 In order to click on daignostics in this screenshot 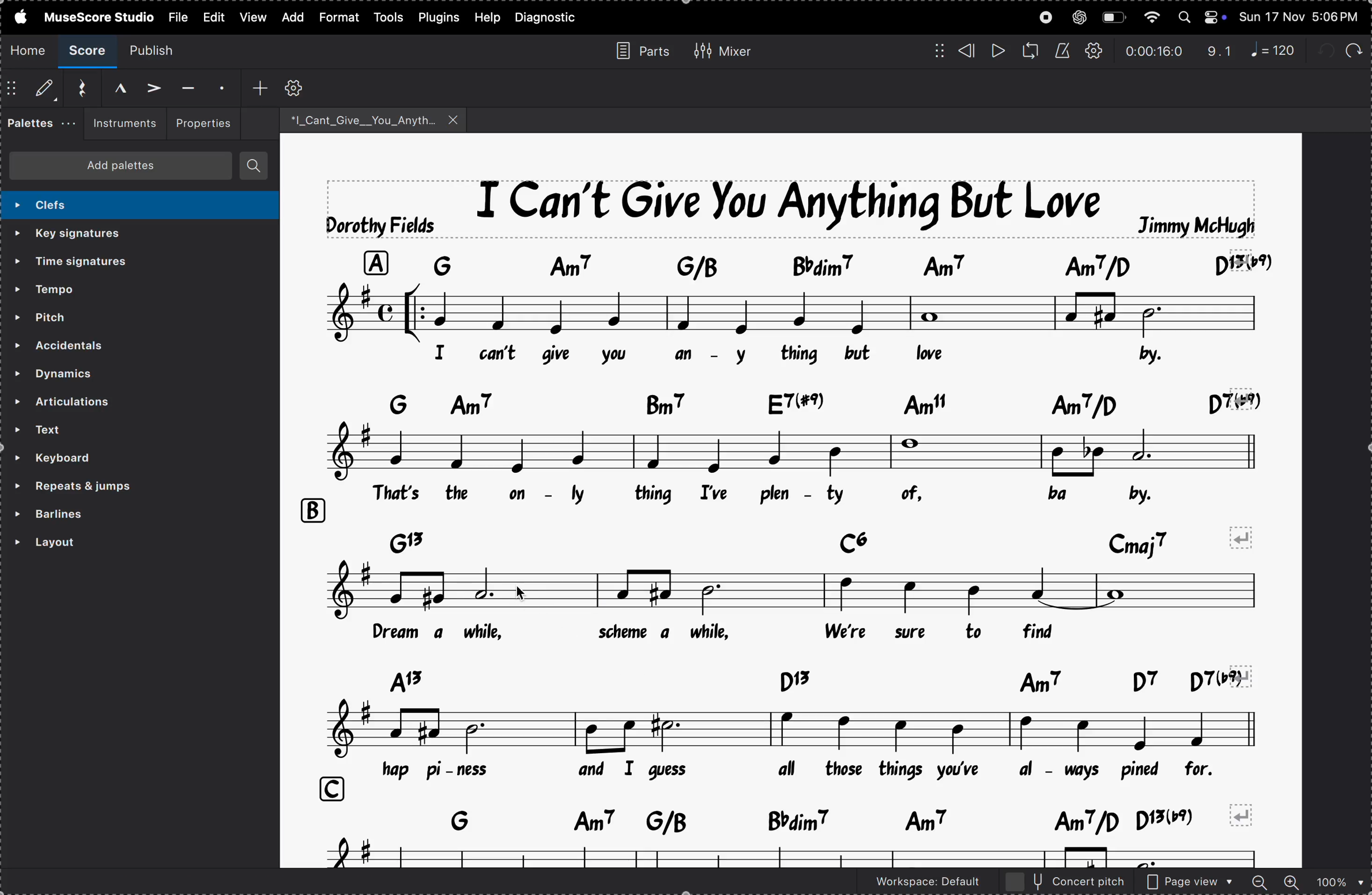, I will do `click(550, 18)`.